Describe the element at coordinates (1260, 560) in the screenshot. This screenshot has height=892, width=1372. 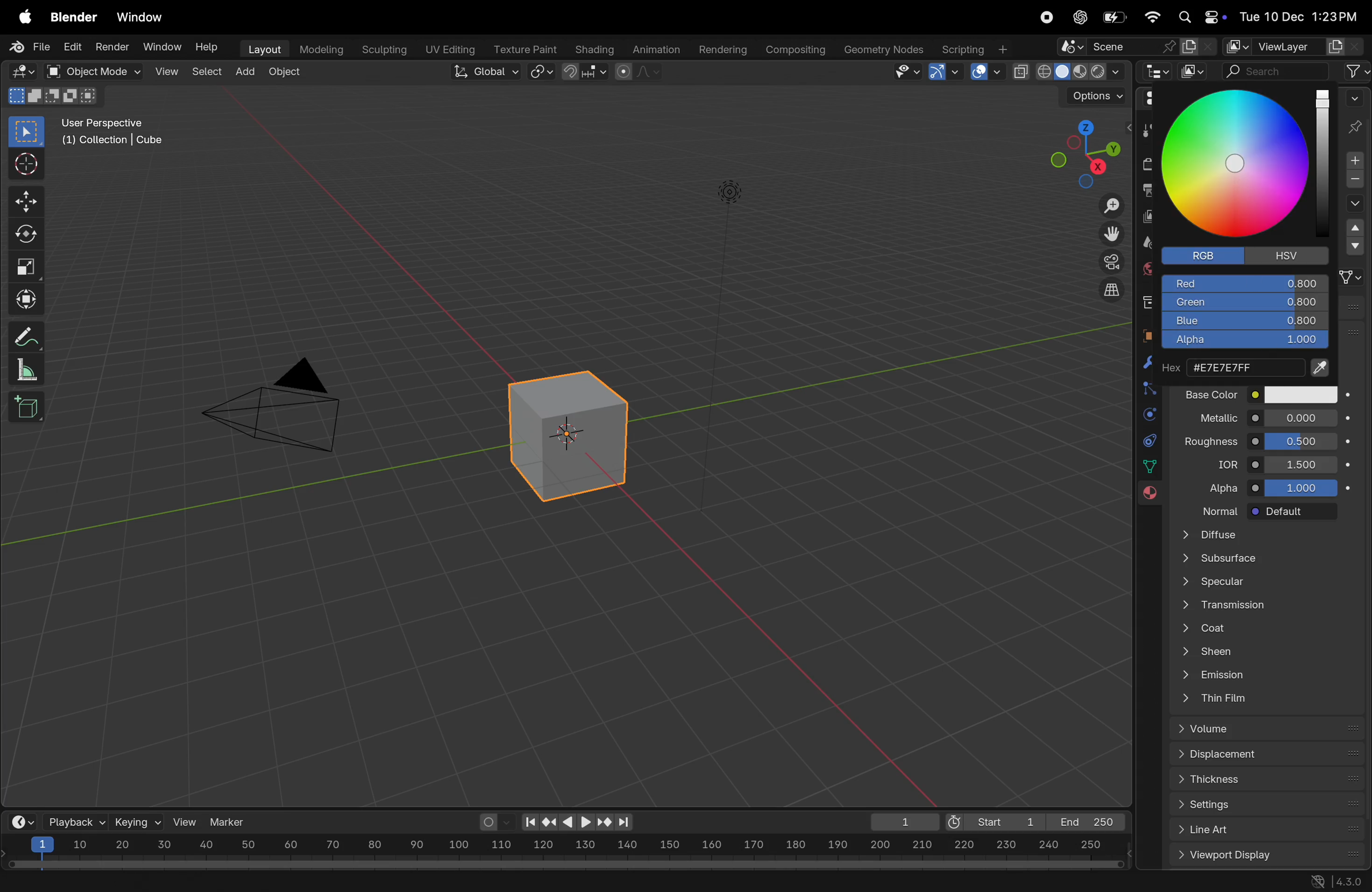
I see `subsurface` at that location.